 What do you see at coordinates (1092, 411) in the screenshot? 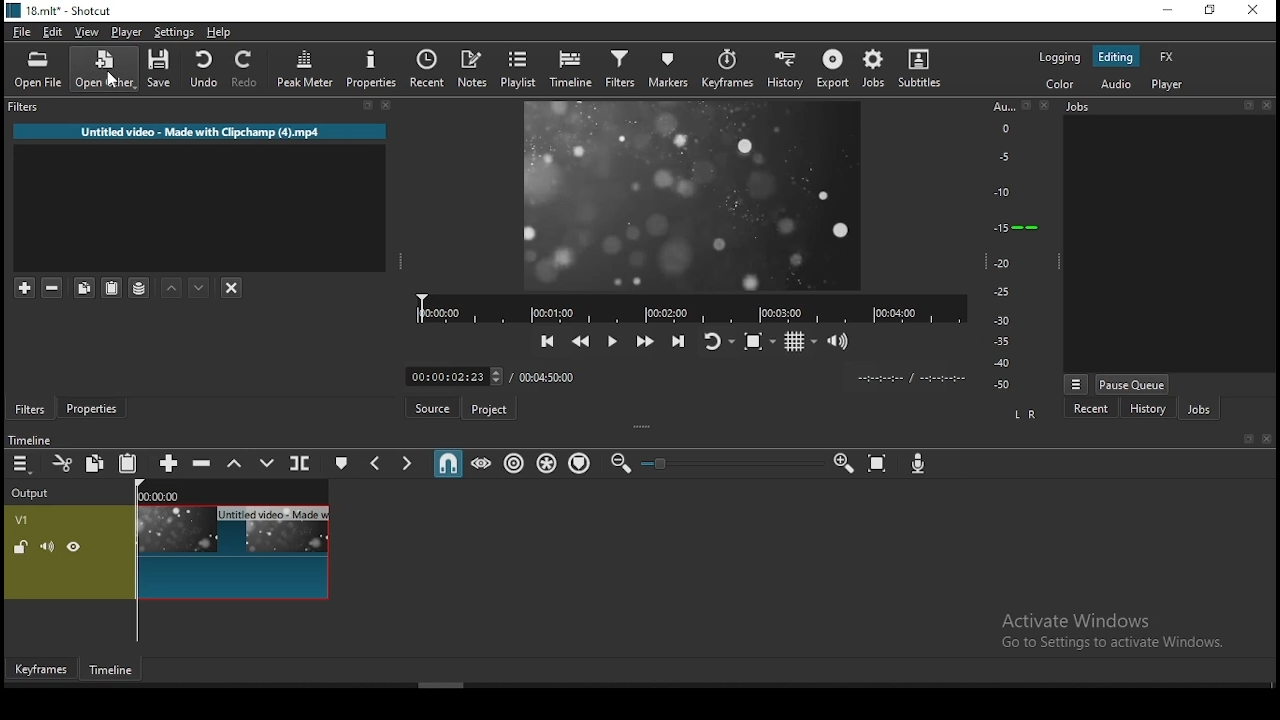
I see `recent` at bounding box center [1092, 411].